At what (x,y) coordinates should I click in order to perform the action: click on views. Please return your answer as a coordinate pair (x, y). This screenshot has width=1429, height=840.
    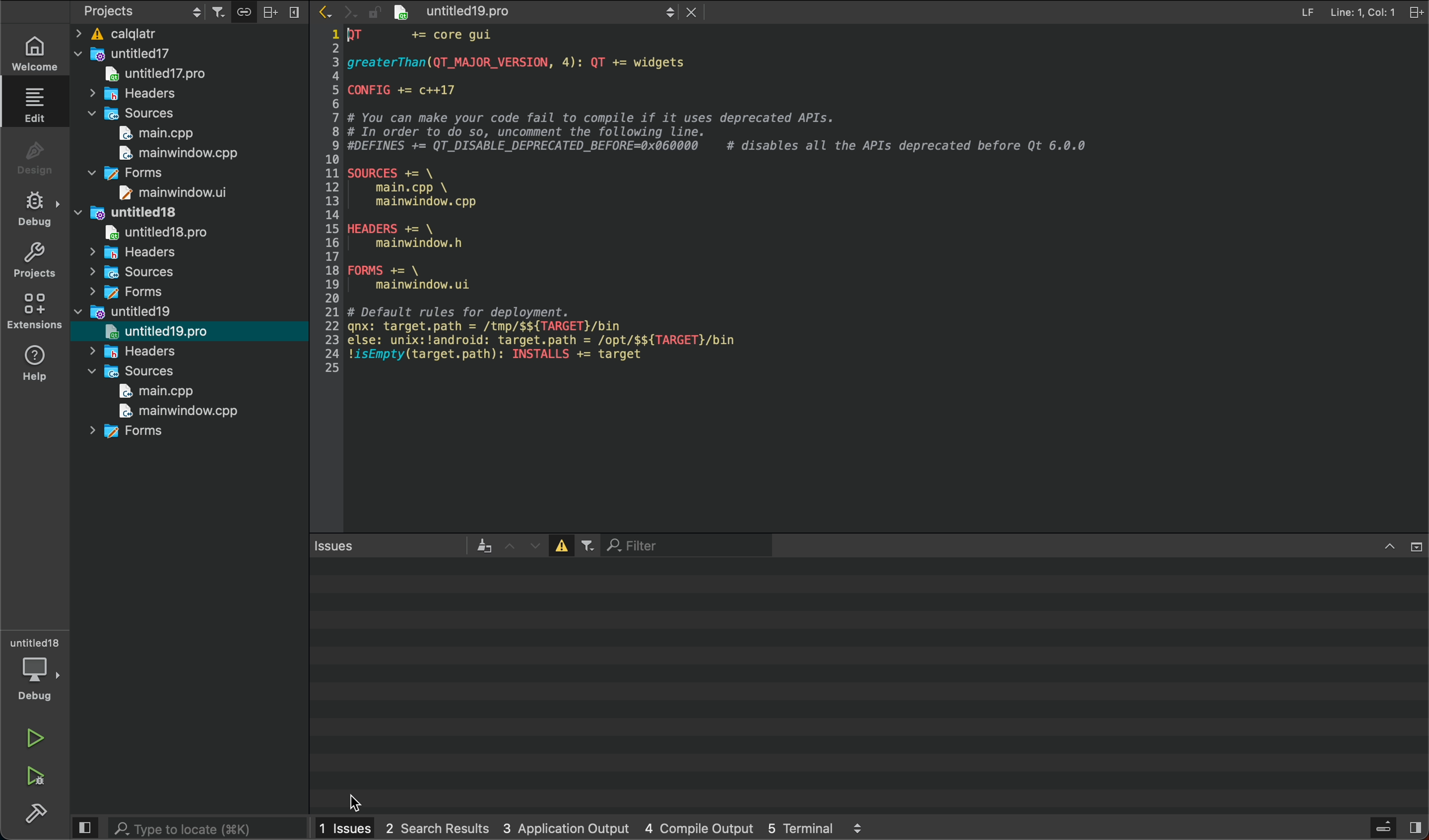
    Looking at the image, I should click on (1393, 826).